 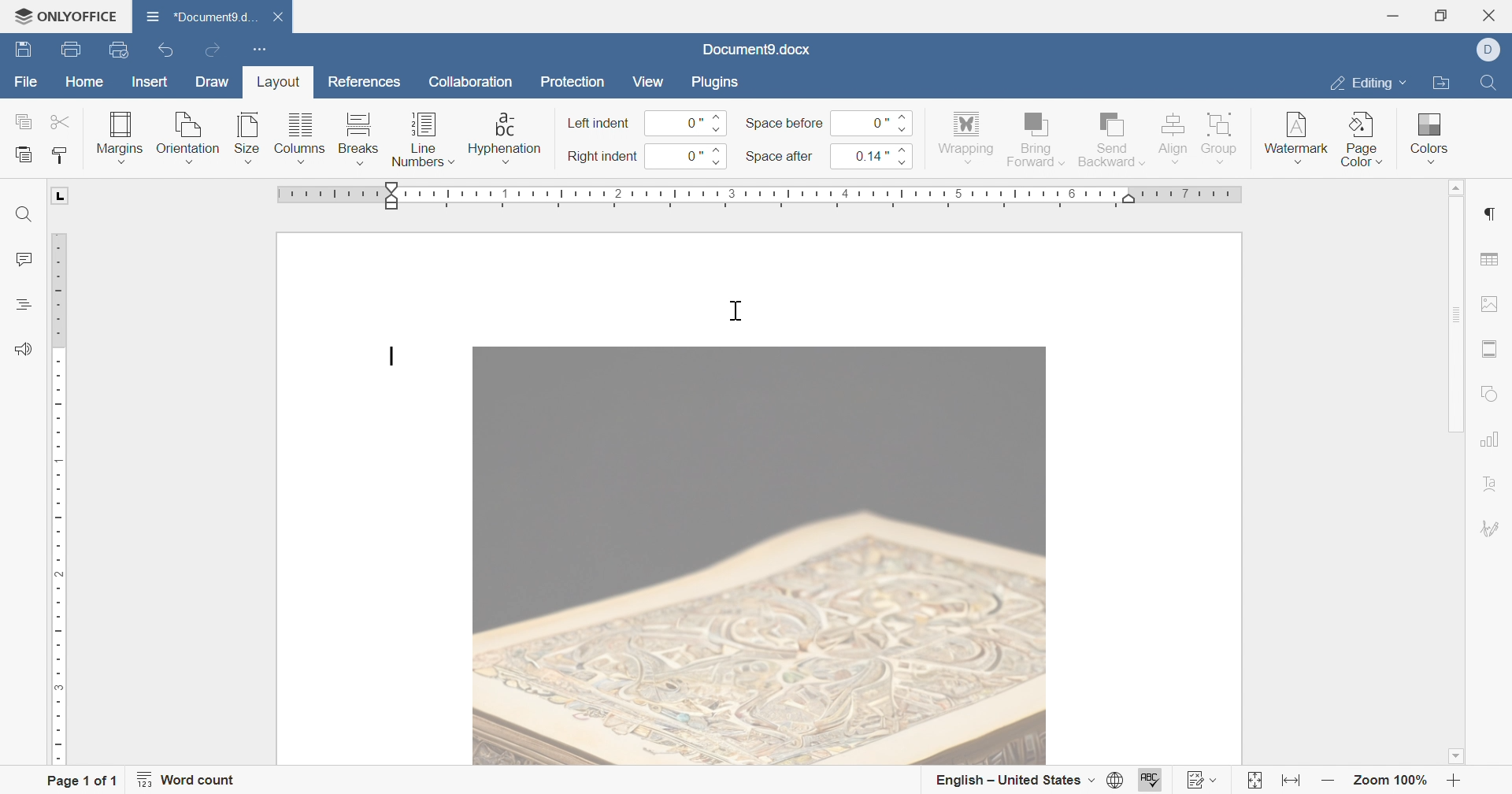 I want to click on typing cursor, so click(x=737, y=310).